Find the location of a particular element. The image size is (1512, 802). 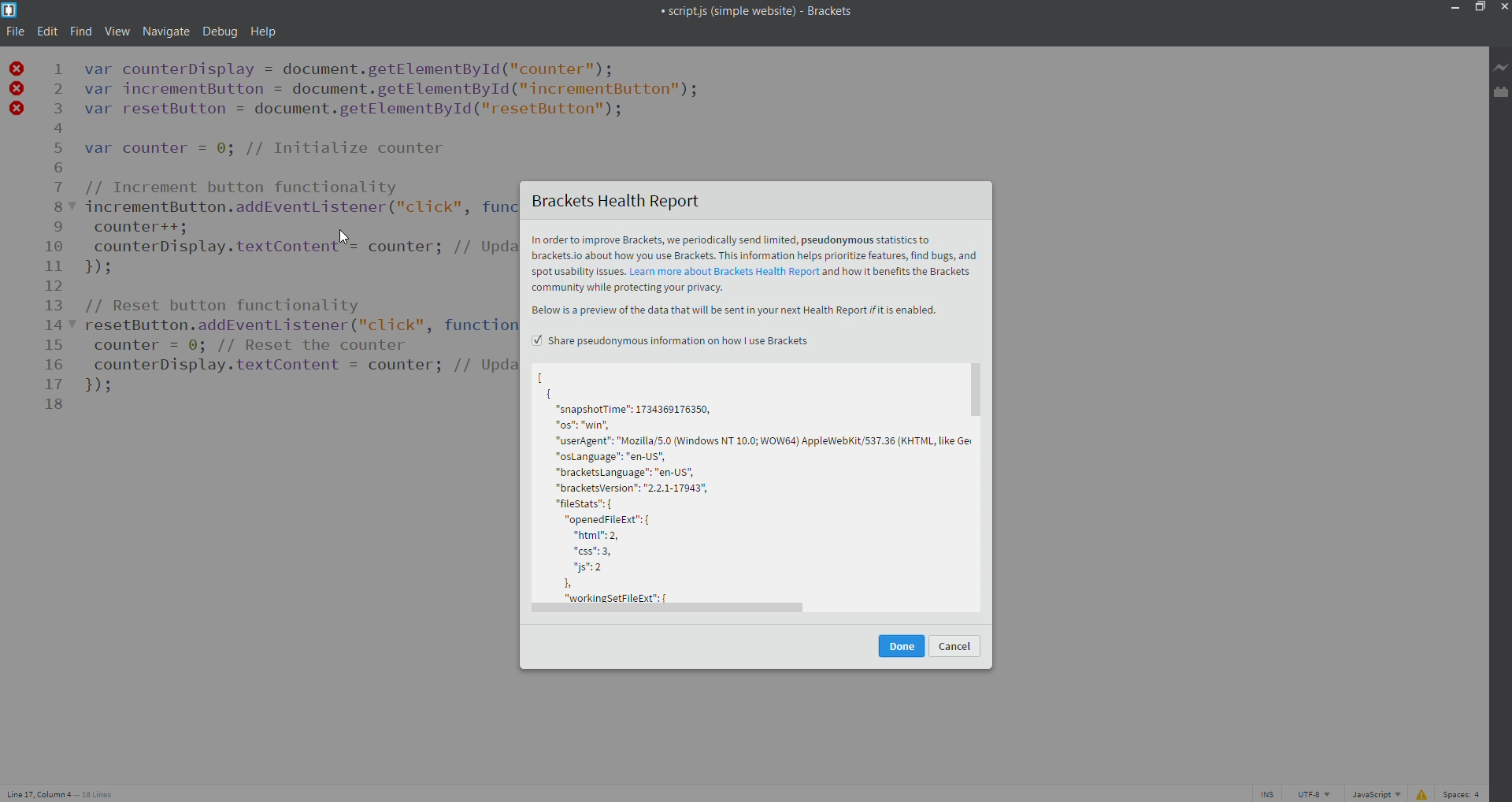

help is located at coordinates (262, 32).